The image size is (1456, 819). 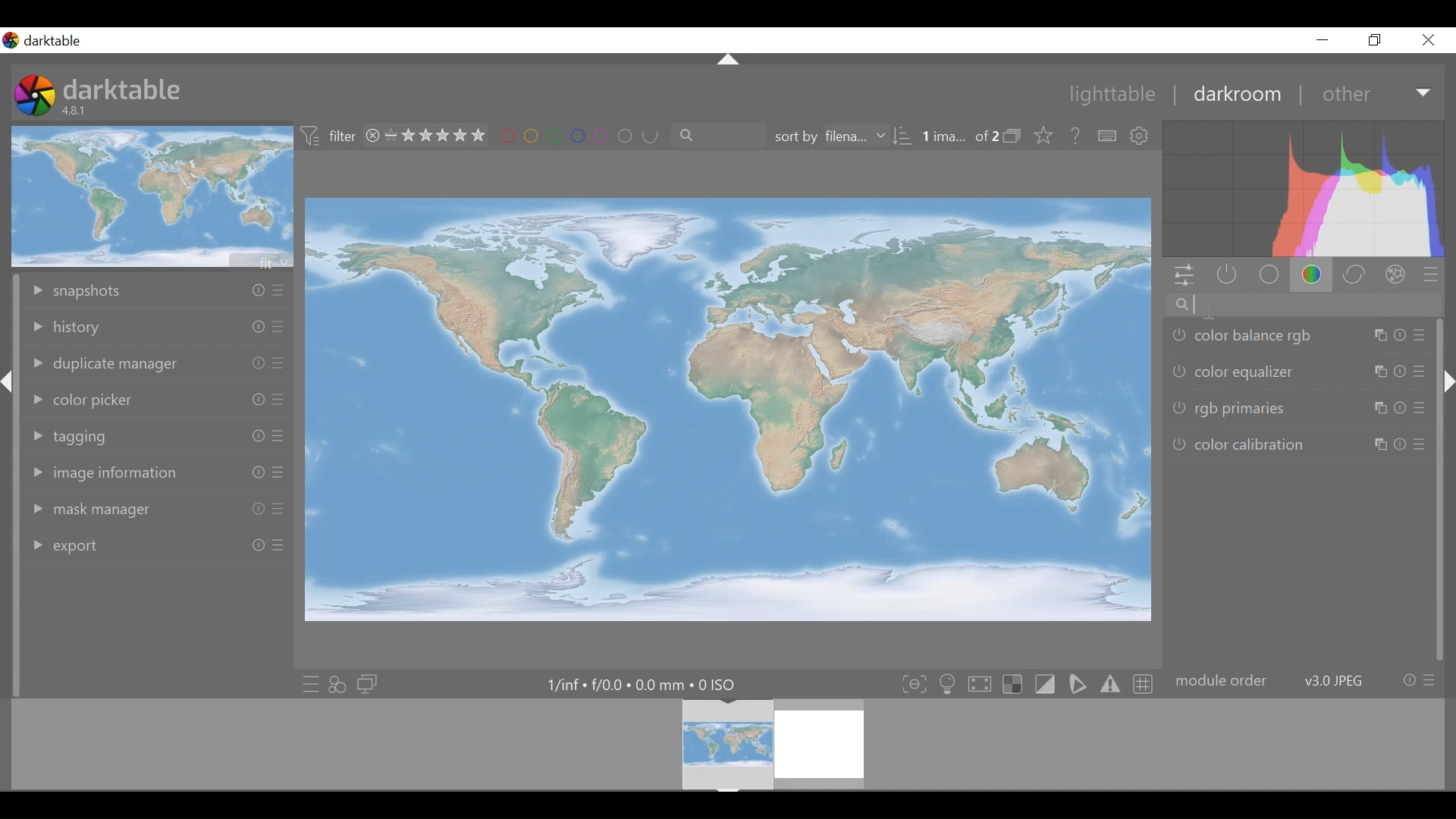 I want to click on vertical scroll bar, so click(x=12, y=557).